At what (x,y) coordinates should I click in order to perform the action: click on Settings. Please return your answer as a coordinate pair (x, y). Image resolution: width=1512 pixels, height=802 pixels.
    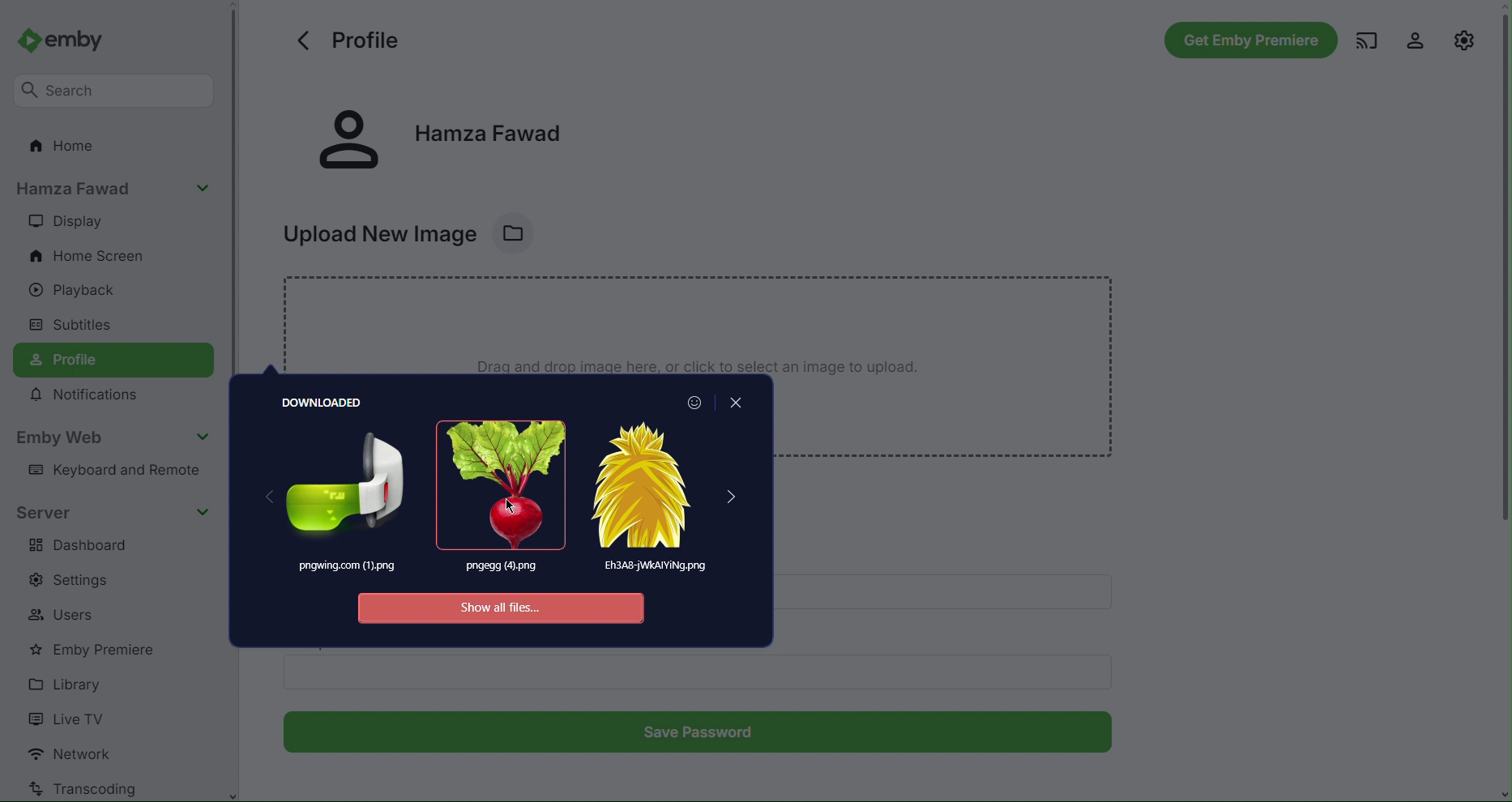
    Looking at the image, I should click on (1464, 38).